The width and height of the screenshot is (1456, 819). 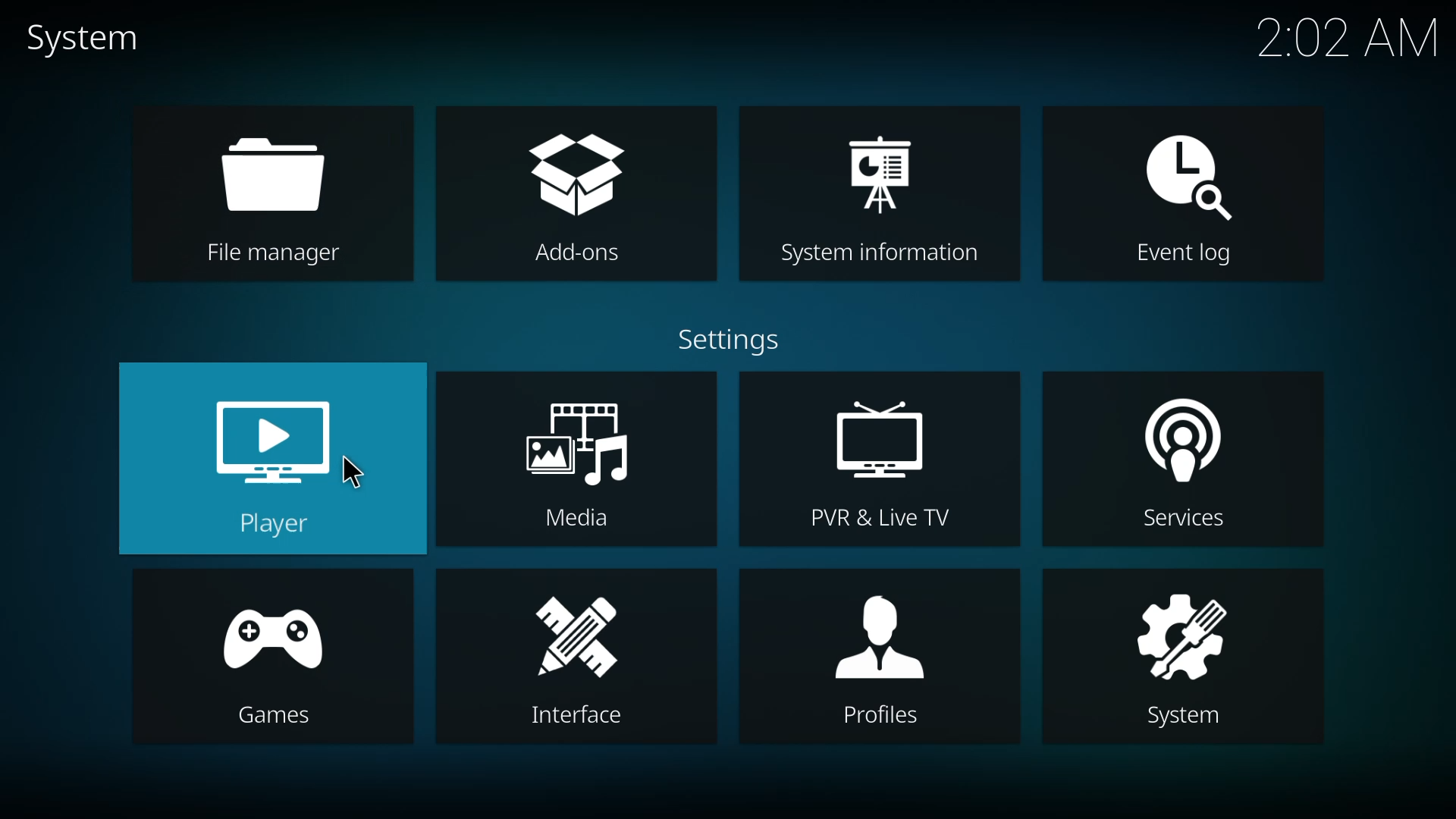 What do you see at coordinates (1185, 198) in the screenshot?
I see `event log` at bounding box center [1185, 198].